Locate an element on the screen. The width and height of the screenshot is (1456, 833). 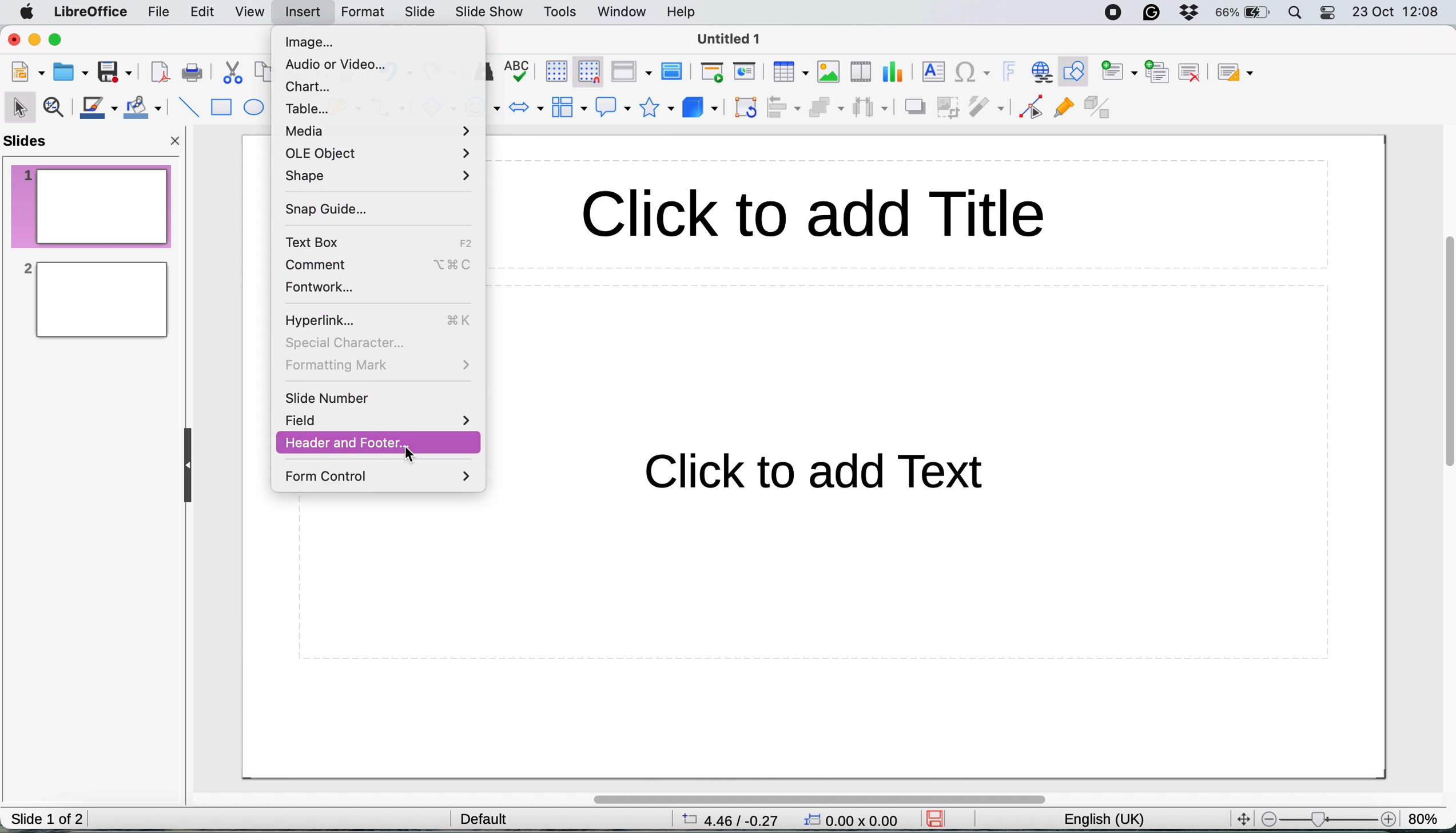
snap guide is located at coordinates (324, 209).